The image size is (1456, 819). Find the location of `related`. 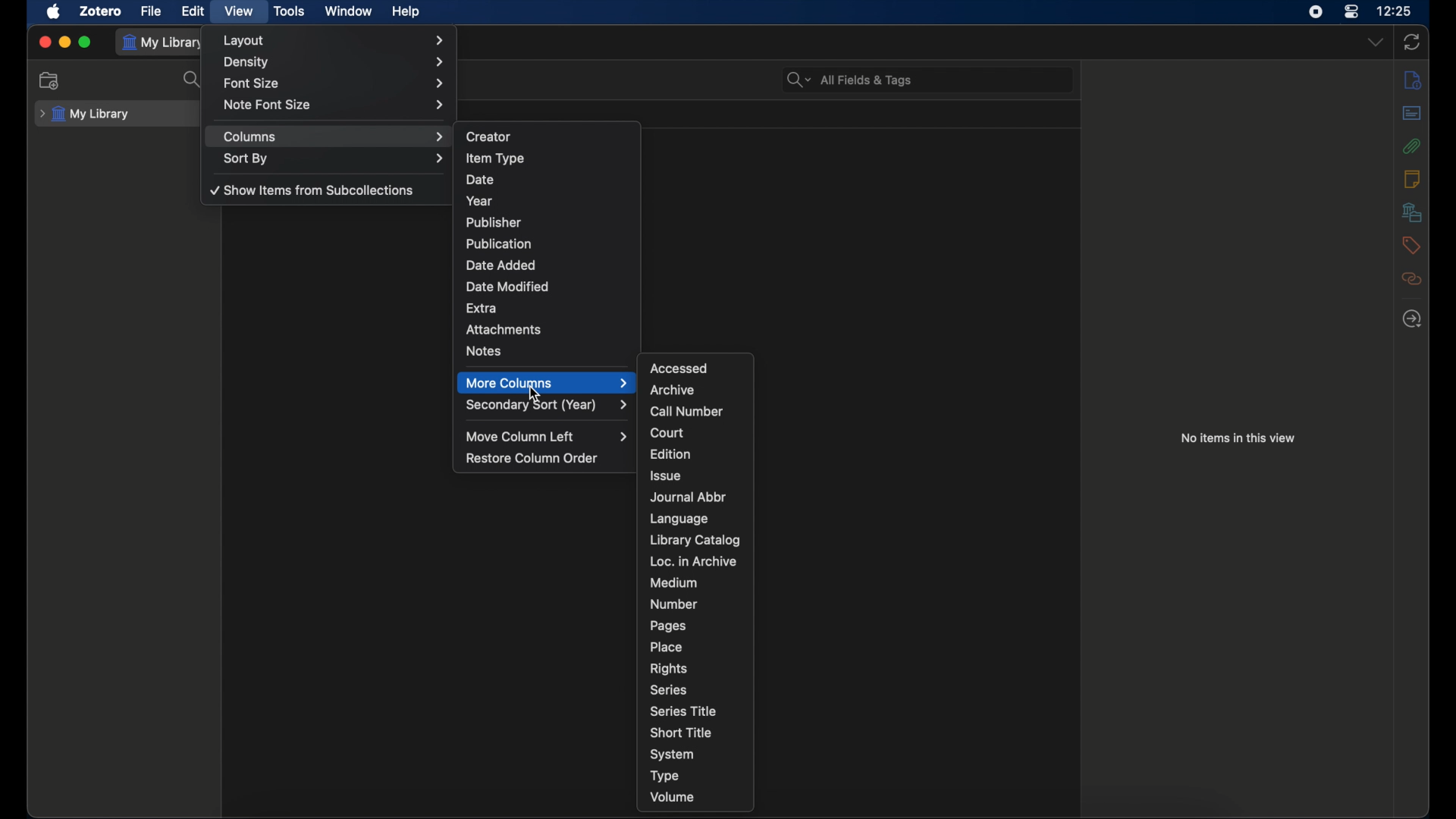

related is located at coordinates (1412, 279).